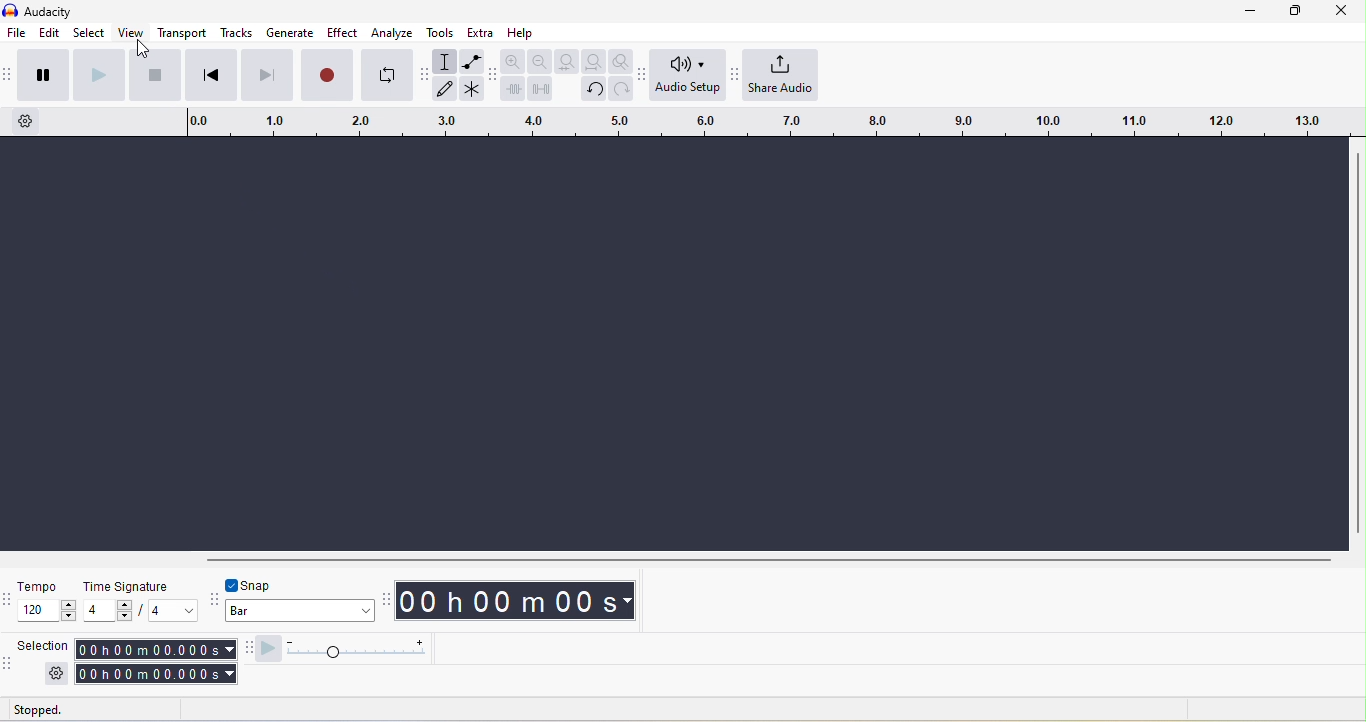 This screenshot has width=1366, height=722. What do you see at coordinates (50, 33) in the screenshot?
I see `edit` at bounding box center [50, 33].